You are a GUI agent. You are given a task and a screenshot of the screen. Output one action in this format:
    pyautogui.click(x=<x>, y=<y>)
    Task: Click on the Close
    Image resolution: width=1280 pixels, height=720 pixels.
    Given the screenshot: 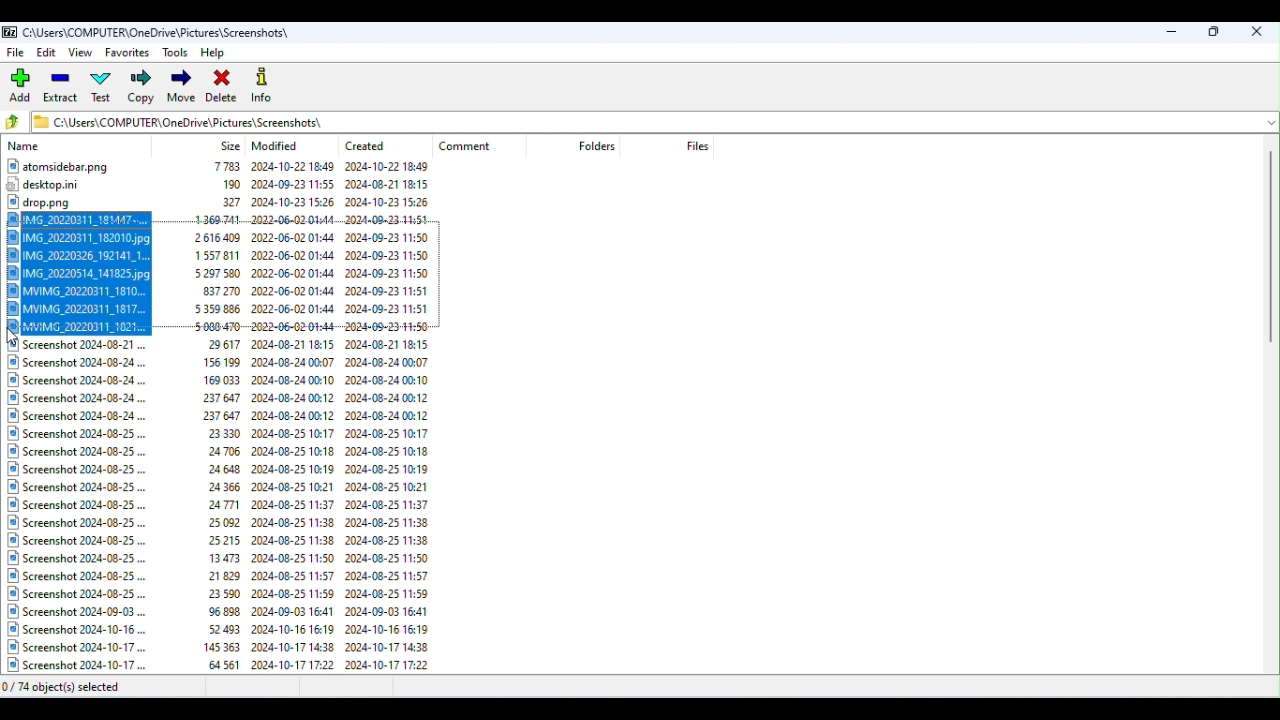 What is the action you would take?
    pyautogui.click(x=1259, y=31)
    